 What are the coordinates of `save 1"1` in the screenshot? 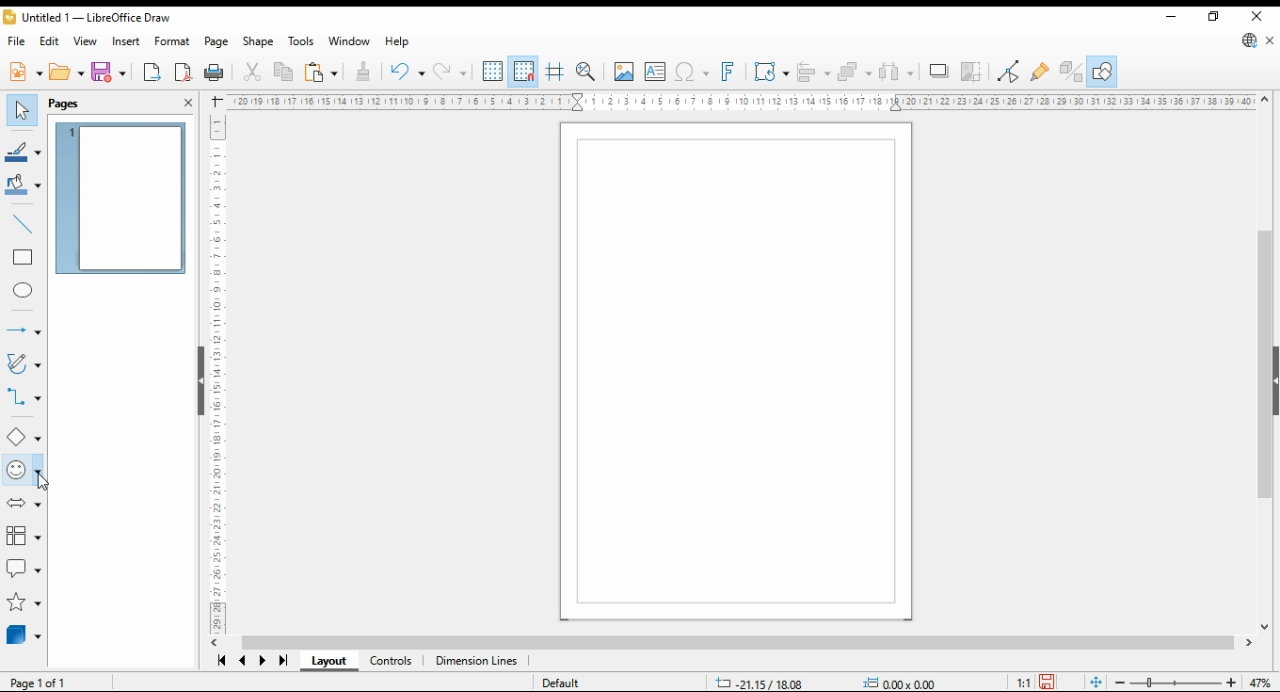 It's located at (1032, 677).